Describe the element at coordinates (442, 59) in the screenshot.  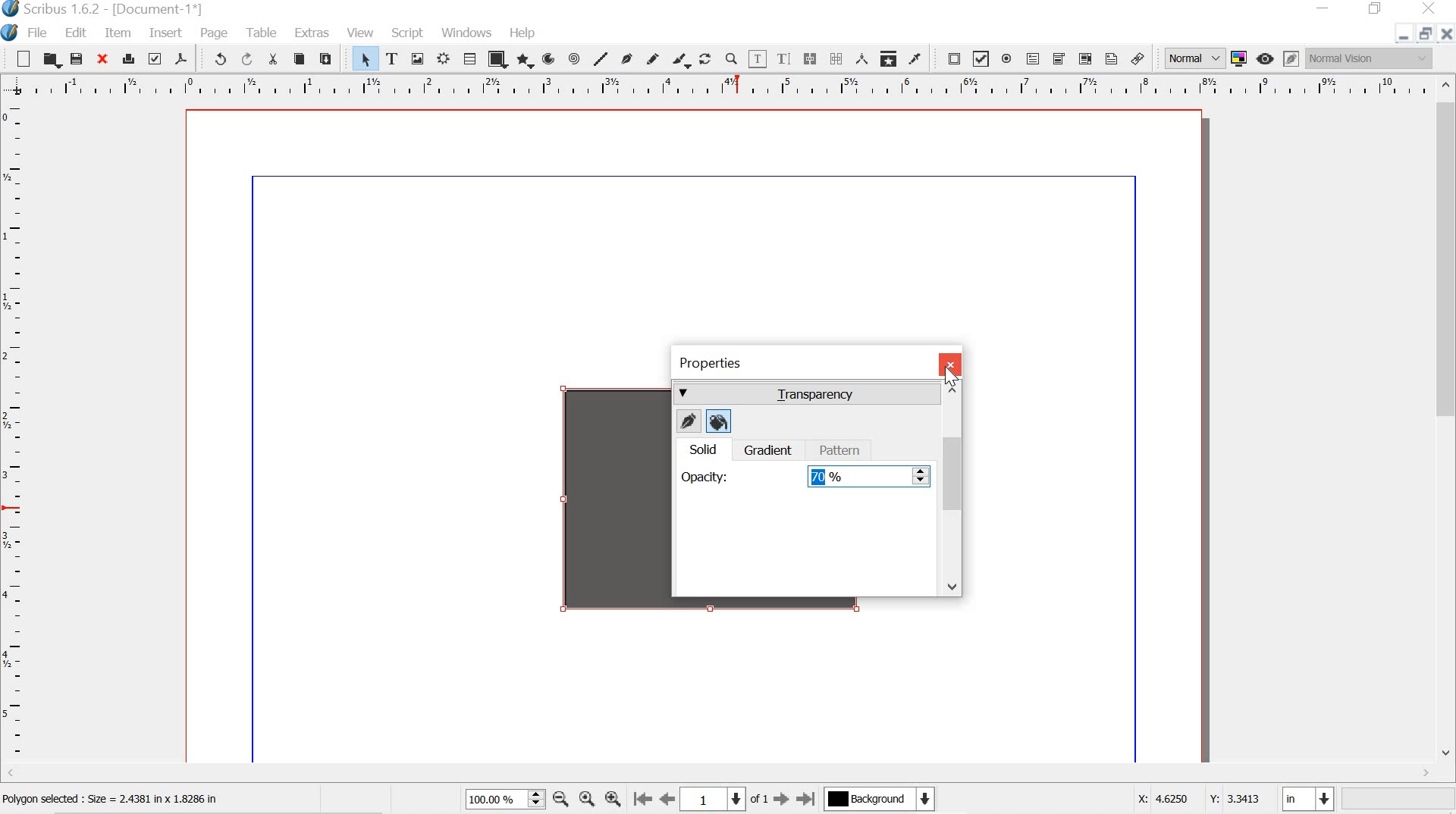
I see `Render frame` at that location.